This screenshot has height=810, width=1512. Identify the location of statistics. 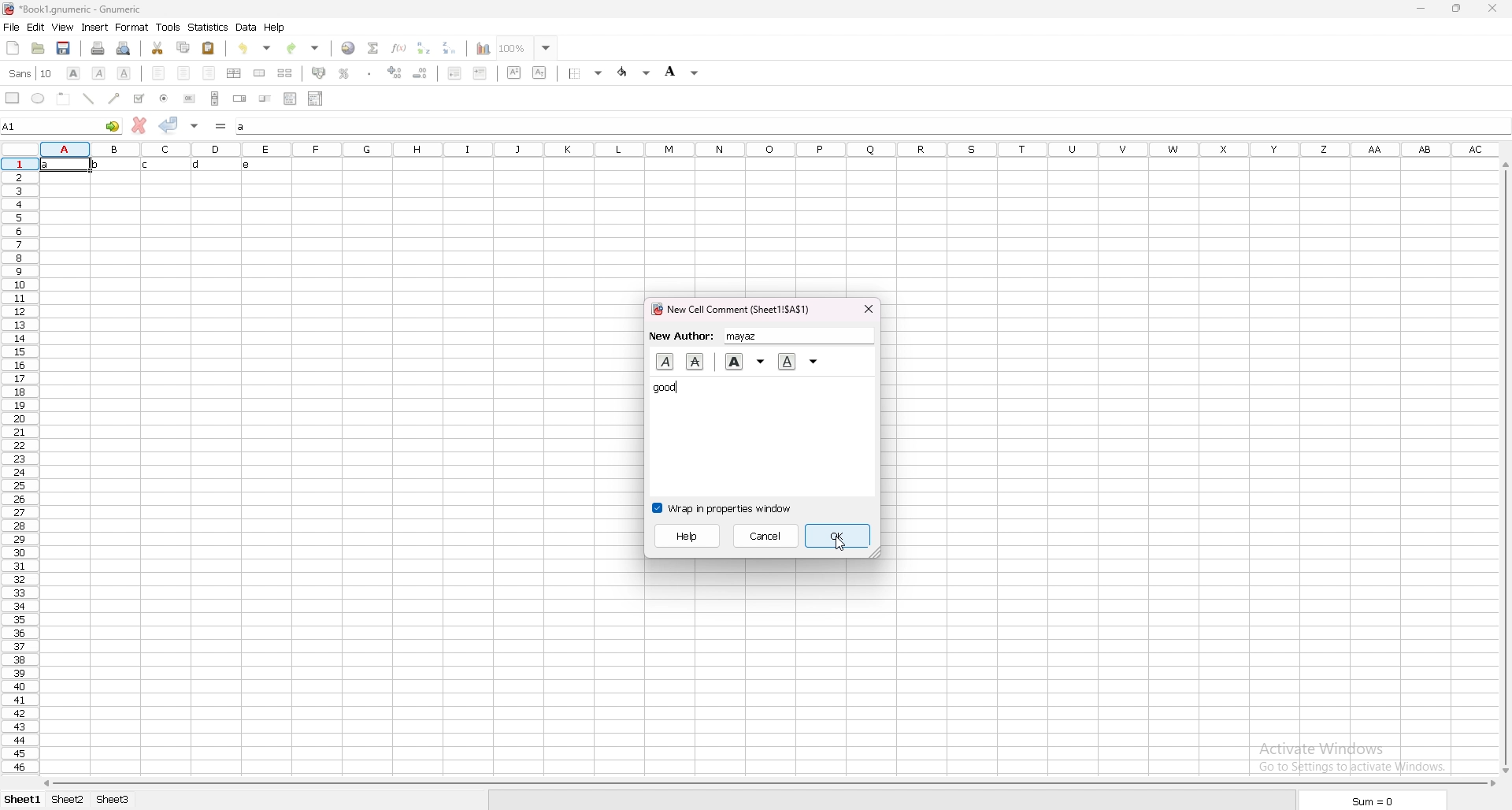
(209, 28).